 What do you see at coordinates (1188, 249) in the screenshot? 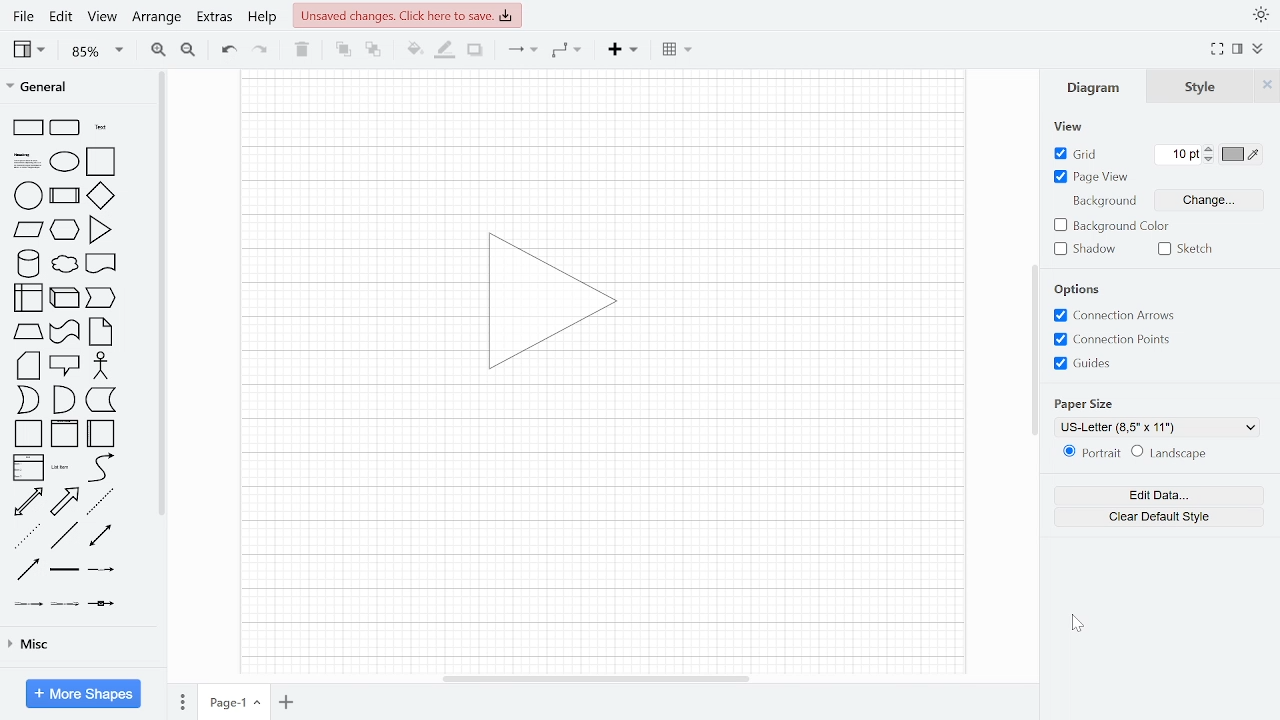
I see `Sketch` at bounding box center [1188, 249].